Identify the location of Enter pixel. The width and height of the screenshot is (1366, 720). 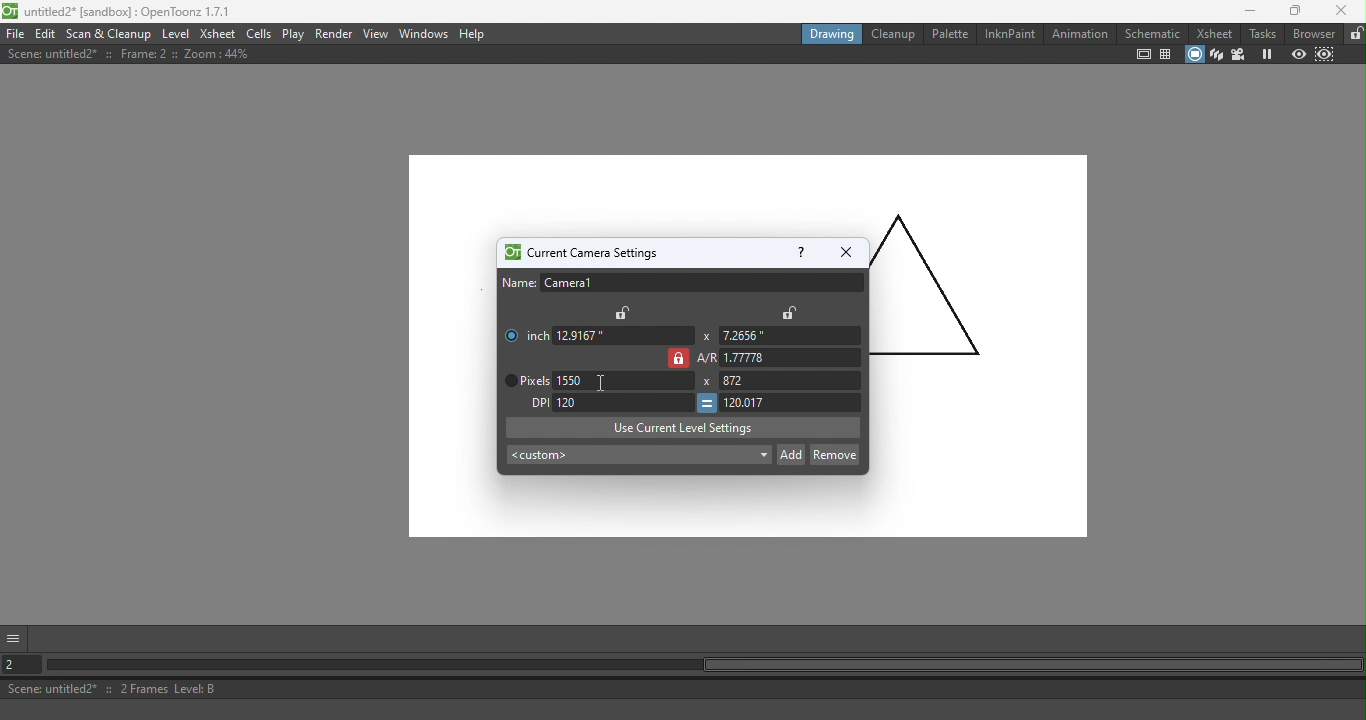
(792, 403).